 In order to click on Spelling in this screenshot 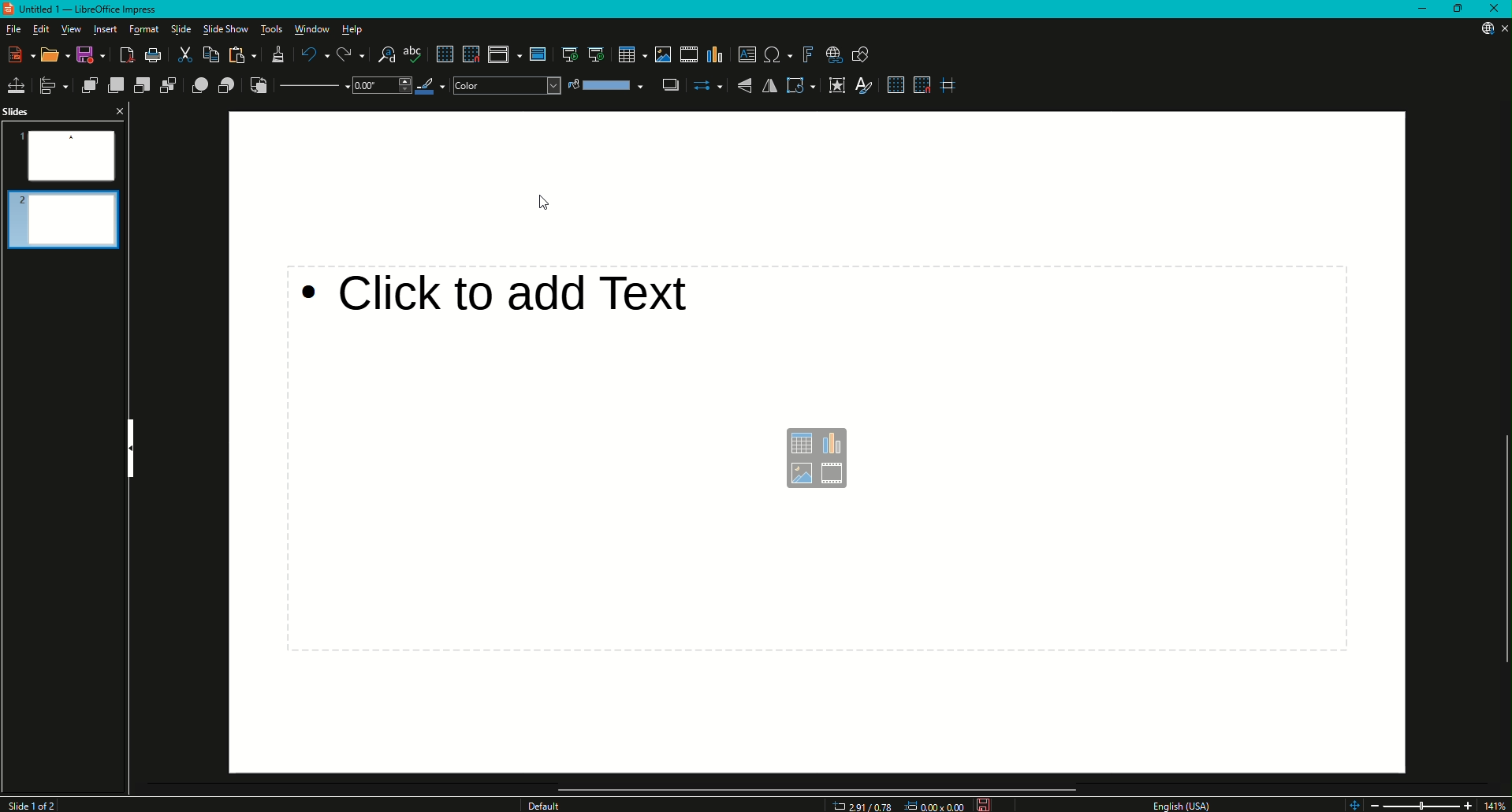, I will do `click(412, 54)`.